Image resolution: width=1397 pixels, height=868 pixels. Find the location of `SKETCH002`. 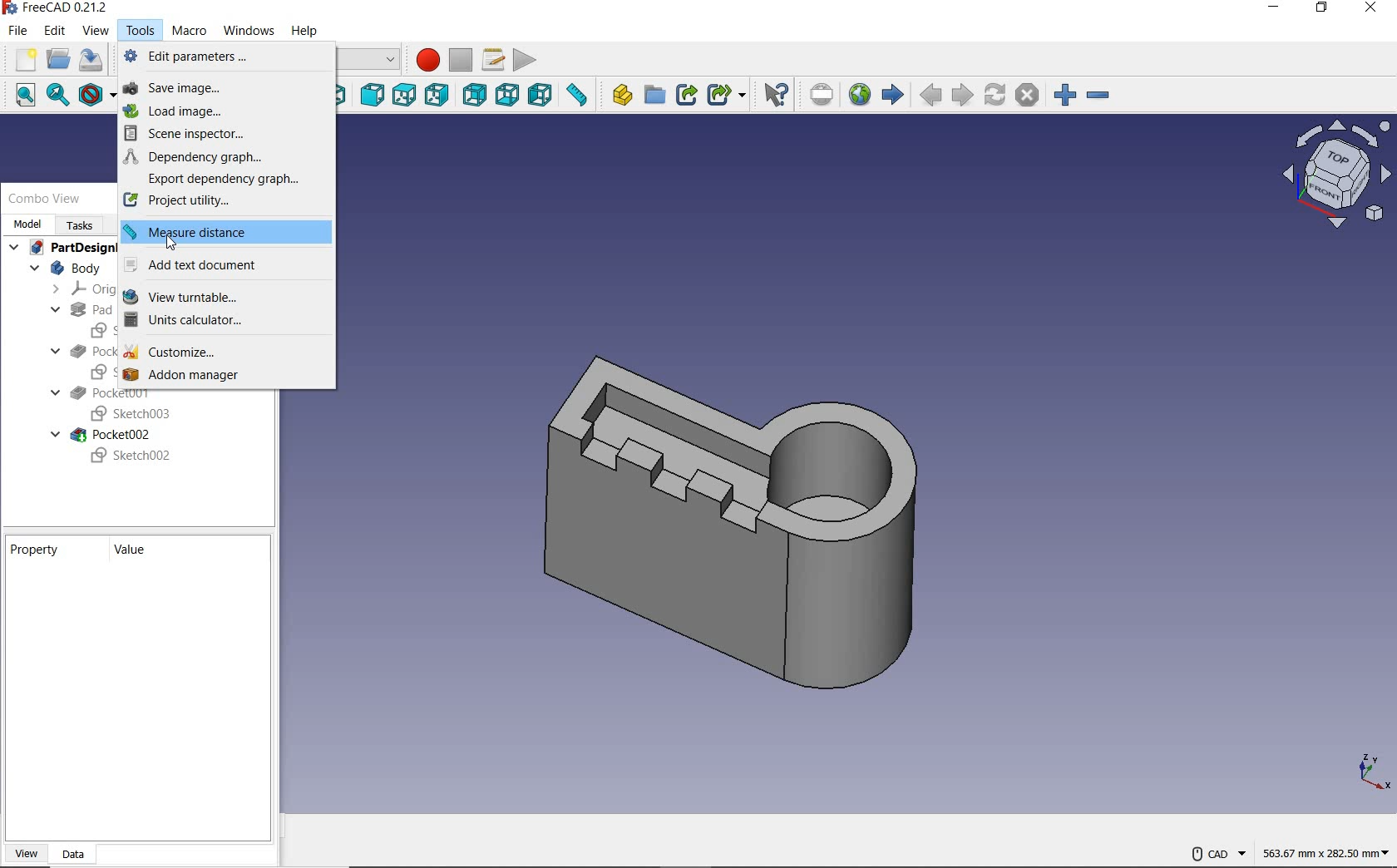

SKETCH002 is located at coordinates (131, 456).